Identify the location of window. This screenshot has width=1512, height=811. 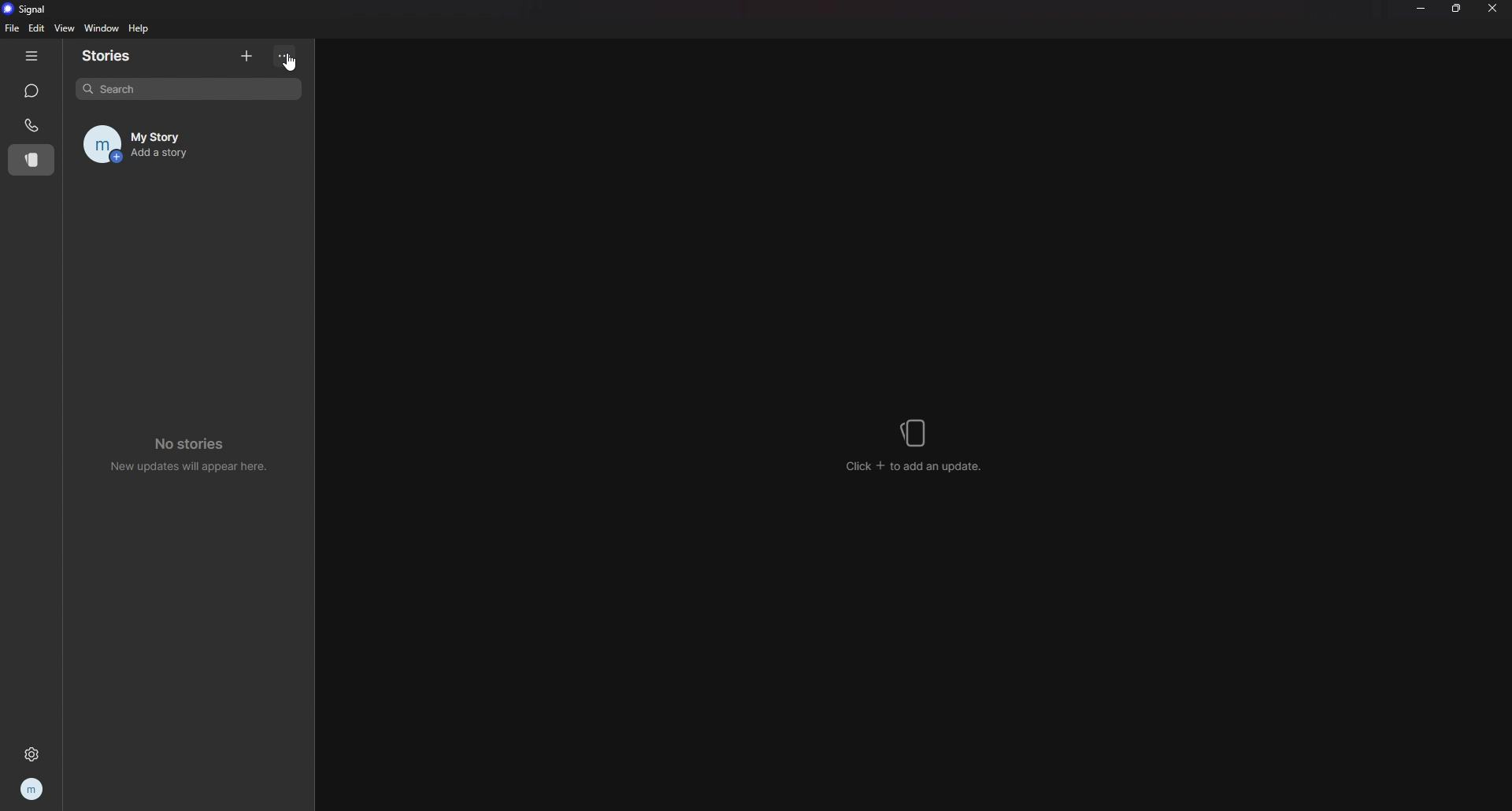
(104, 29).